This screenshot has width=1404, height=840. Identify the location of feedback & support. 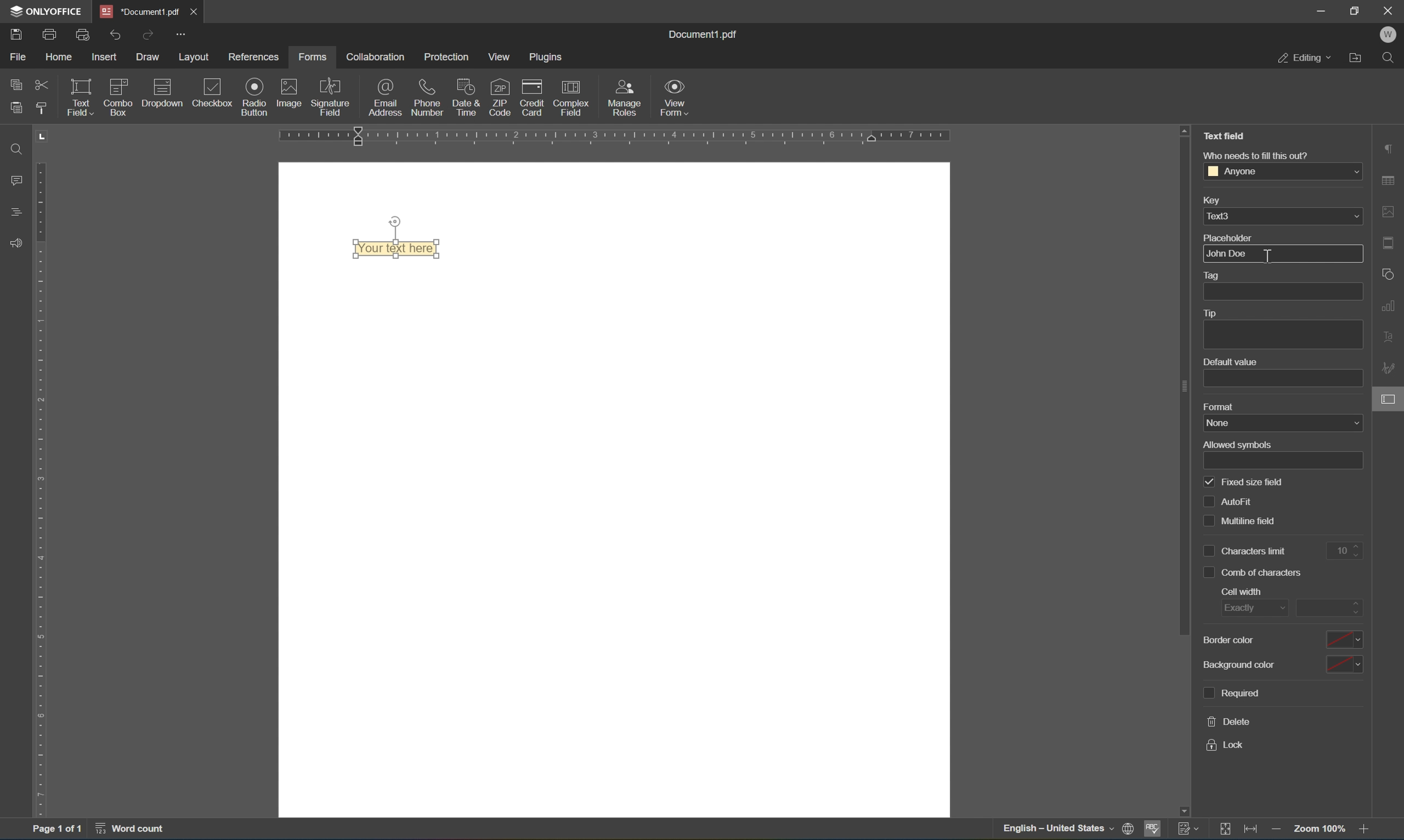
(19, 242).